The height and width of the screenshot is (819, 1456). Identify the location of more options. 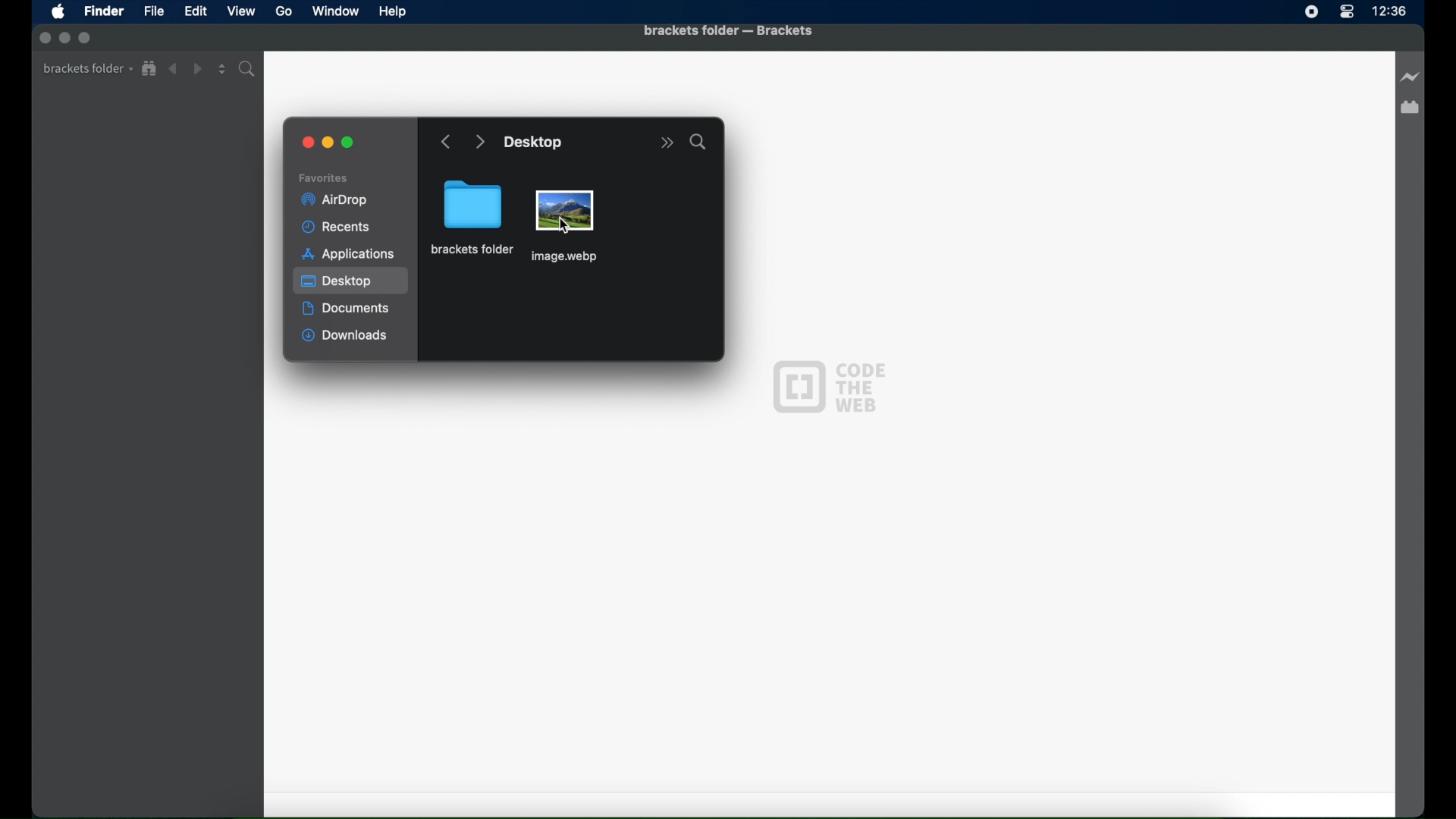
(667, 143).